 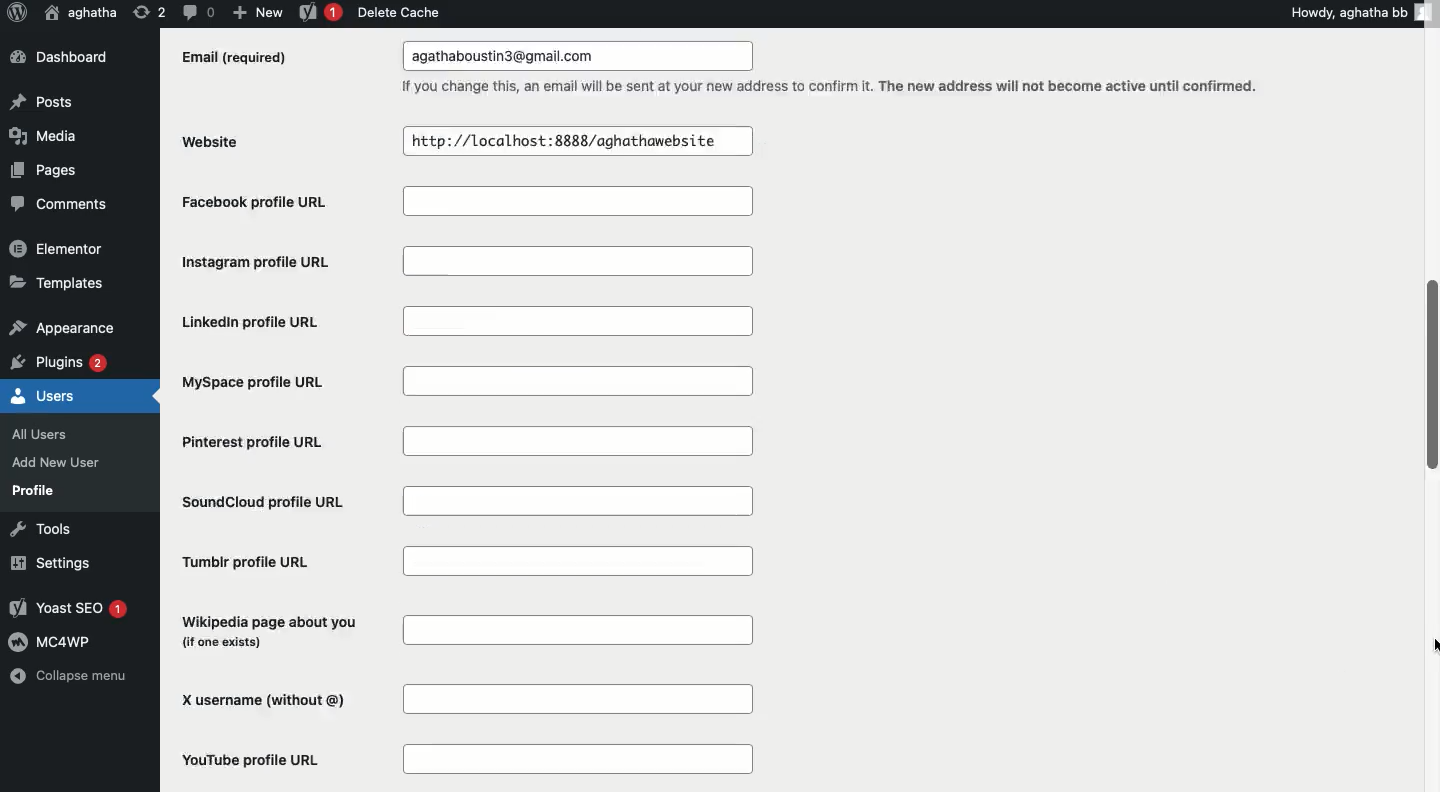 I want to click on Revision, so click(x=150, y=11).